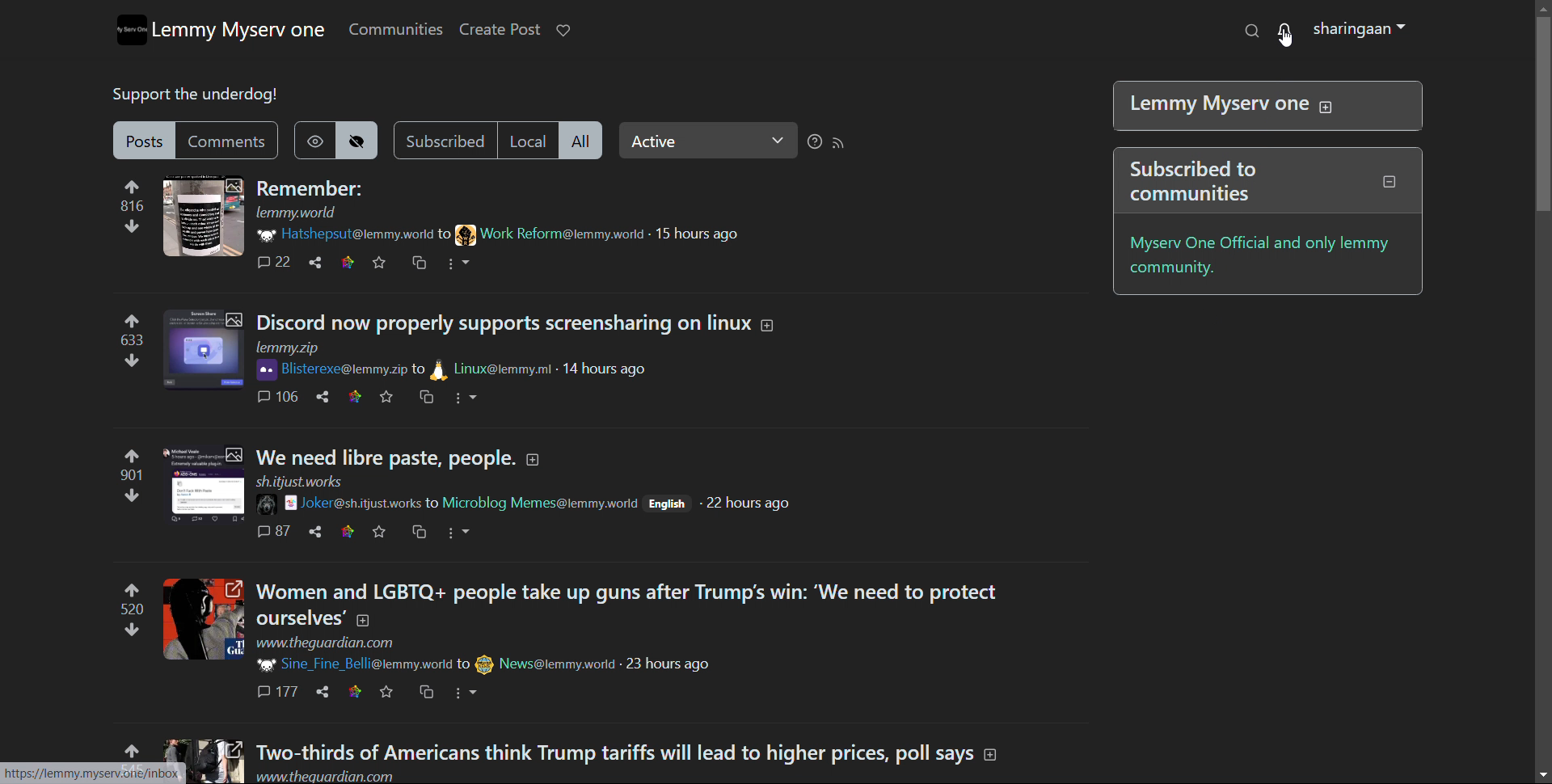 This screenshot has height=784, width=1552. I want to click on crosspost, so click(425, 692).